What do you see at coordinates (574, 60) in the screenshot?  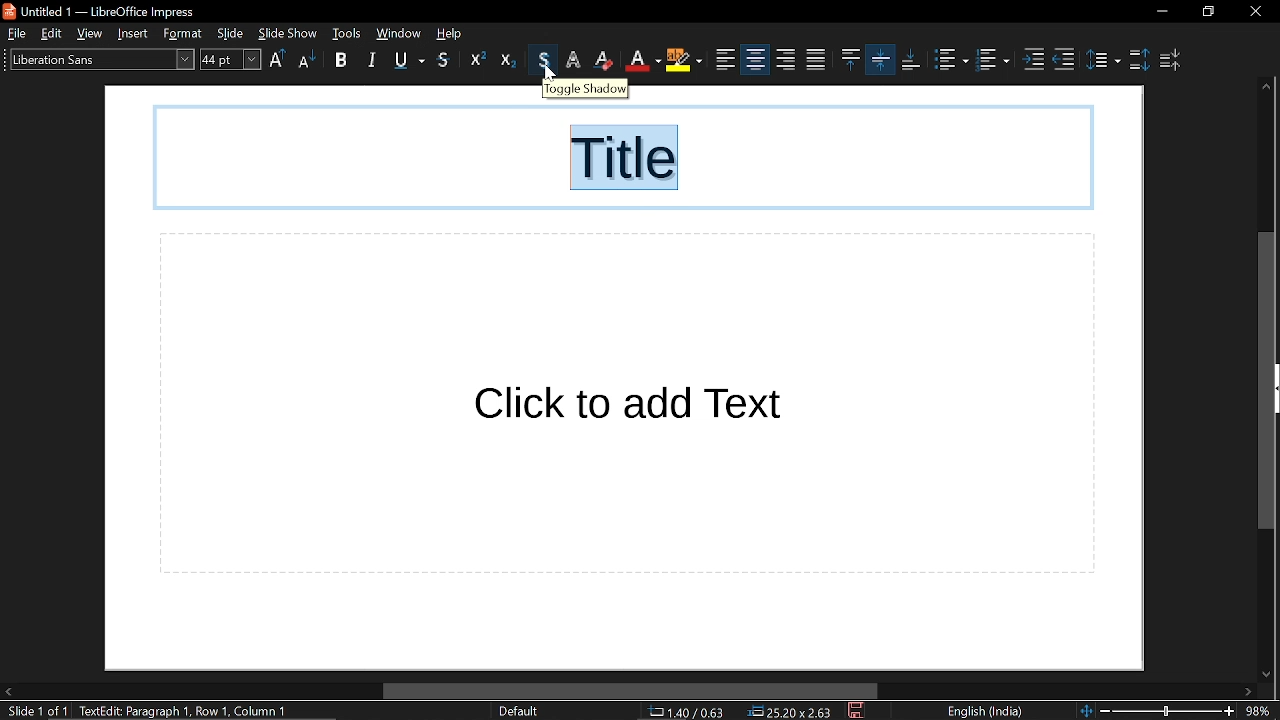 I see `erase` at bounding box center [574, 60].